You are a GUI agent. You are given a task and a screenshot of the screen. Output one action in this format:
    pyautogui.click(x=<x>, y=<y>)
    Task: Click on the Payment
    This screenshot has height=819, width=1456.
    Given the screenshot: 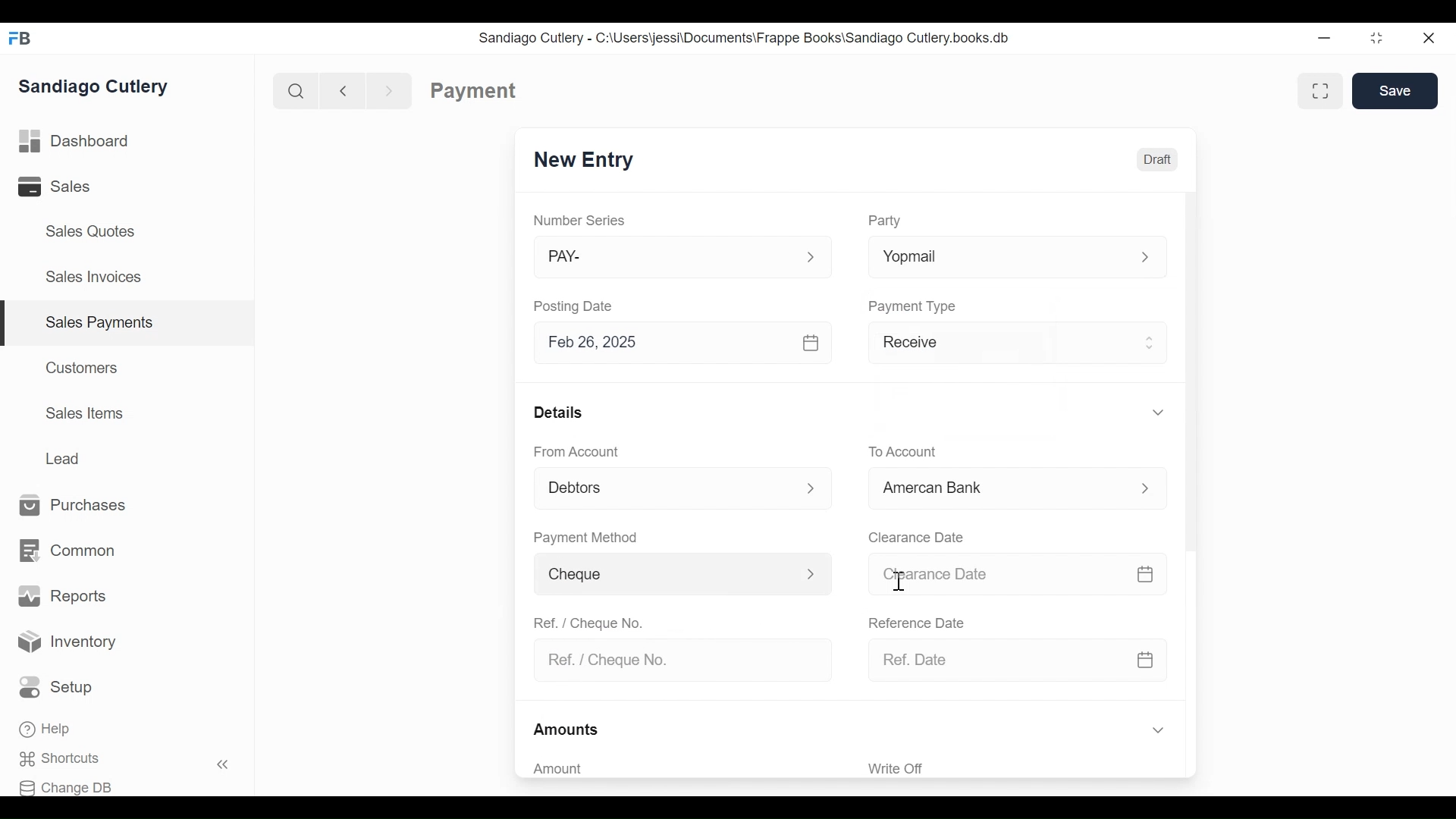 What is the action you would take?
    pyautogui.click(x=474, y=91)
    